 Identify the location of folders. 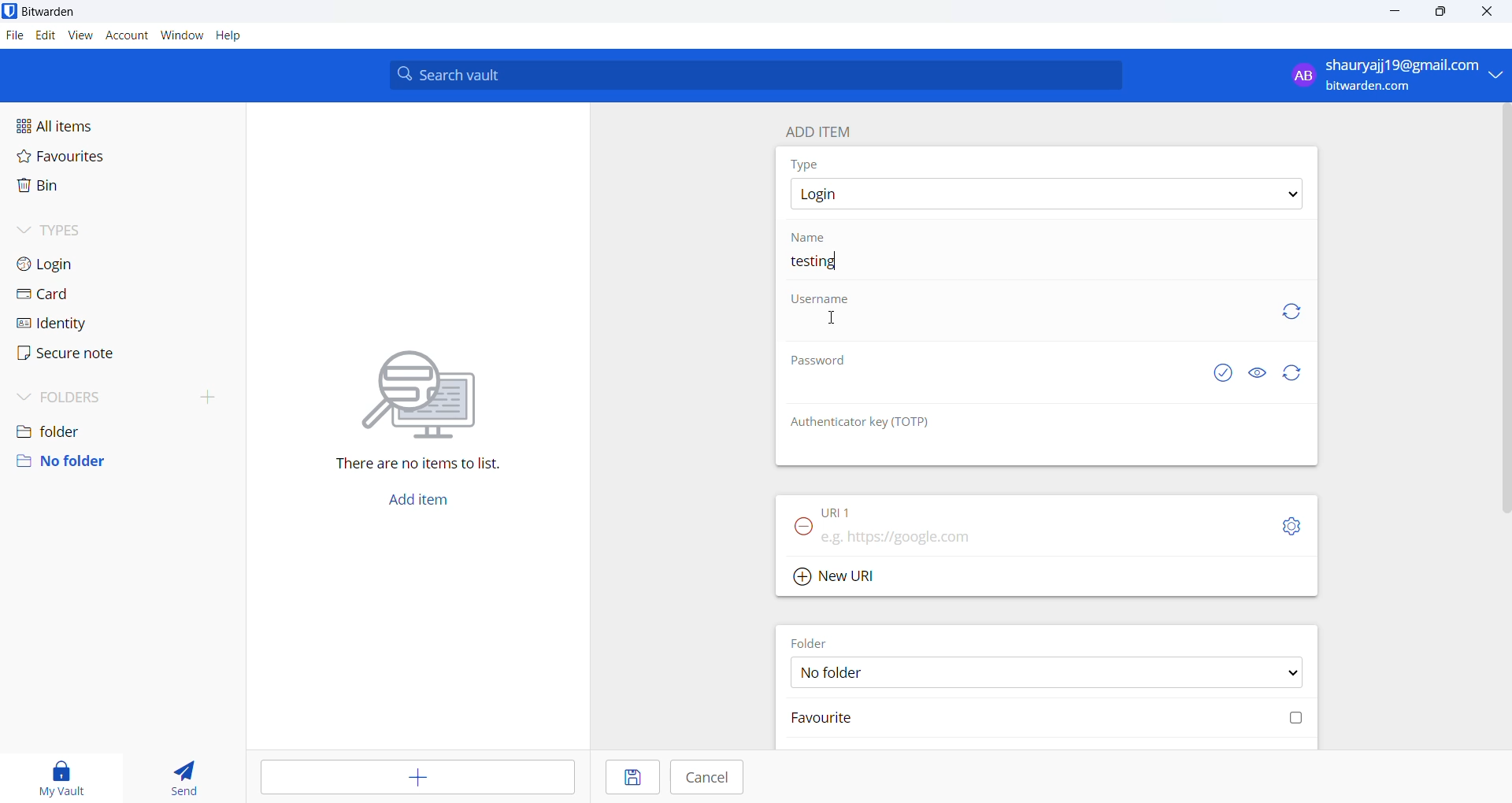
(126, 394).